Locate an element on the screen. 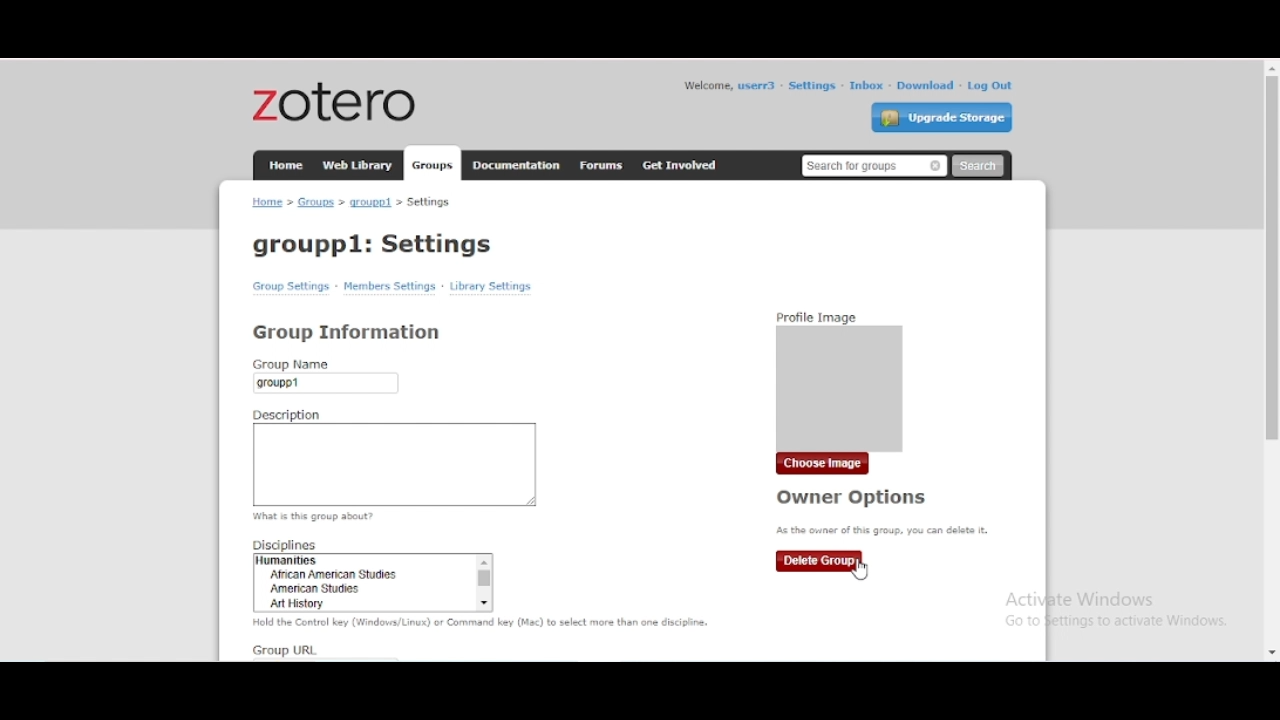 This screenshot has width=1280, height=720. delete group is located at coordinates (819, 562).